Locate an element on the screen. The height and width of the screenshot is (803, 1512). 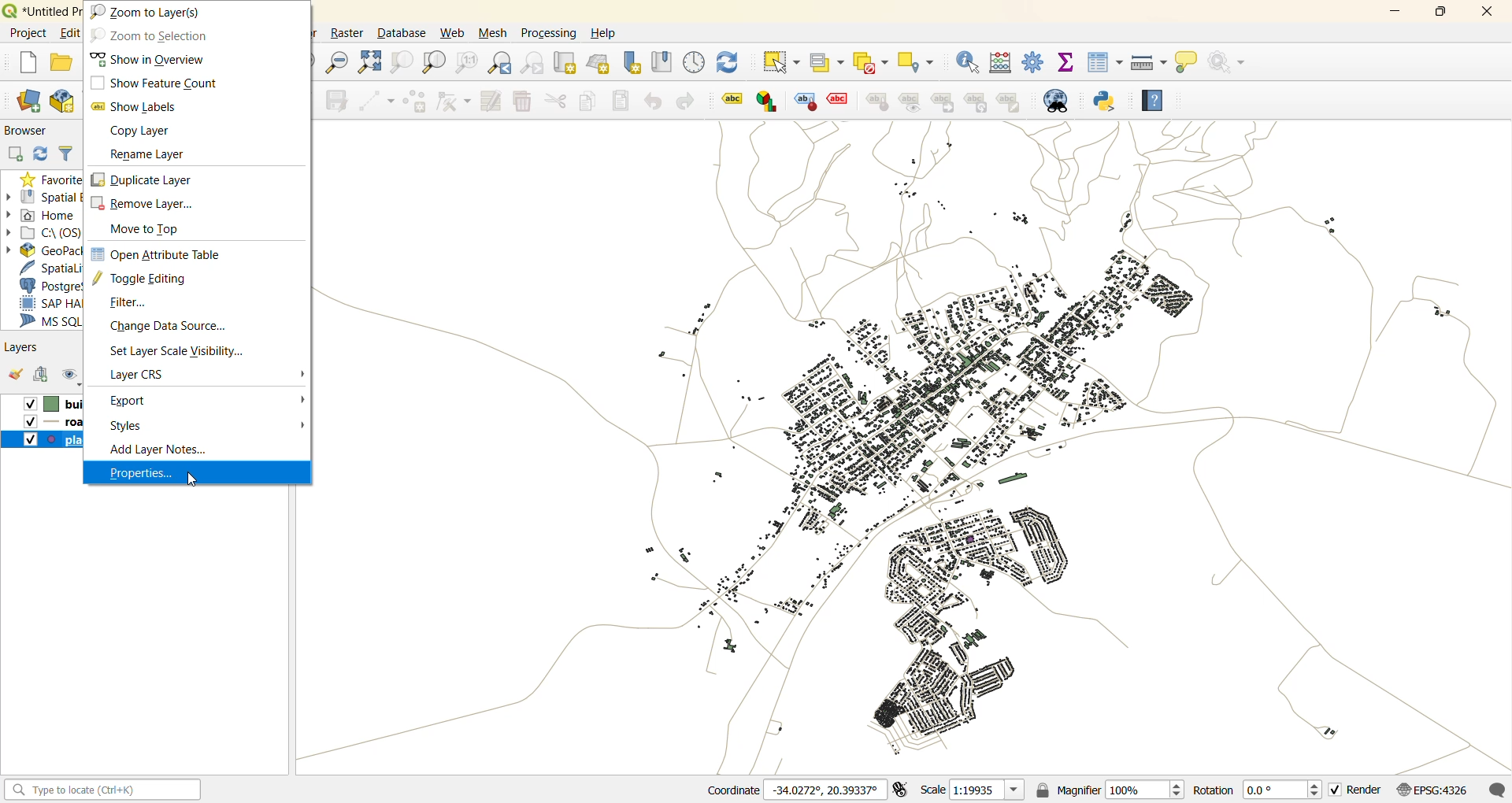
minimize is located at coordinates (1401, 11).